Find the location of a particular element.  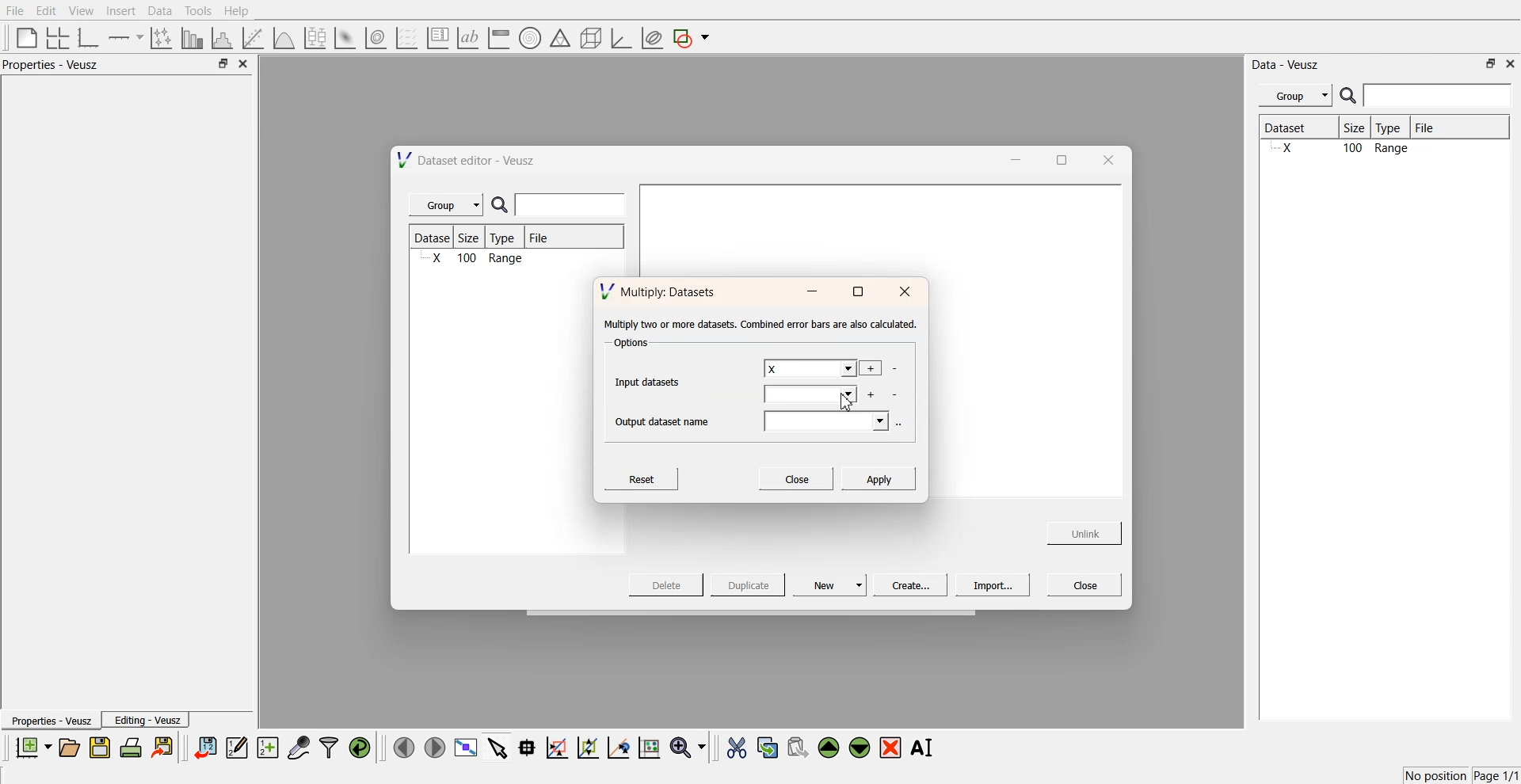

Properties - Veusz is located at coordinates (51, 721).